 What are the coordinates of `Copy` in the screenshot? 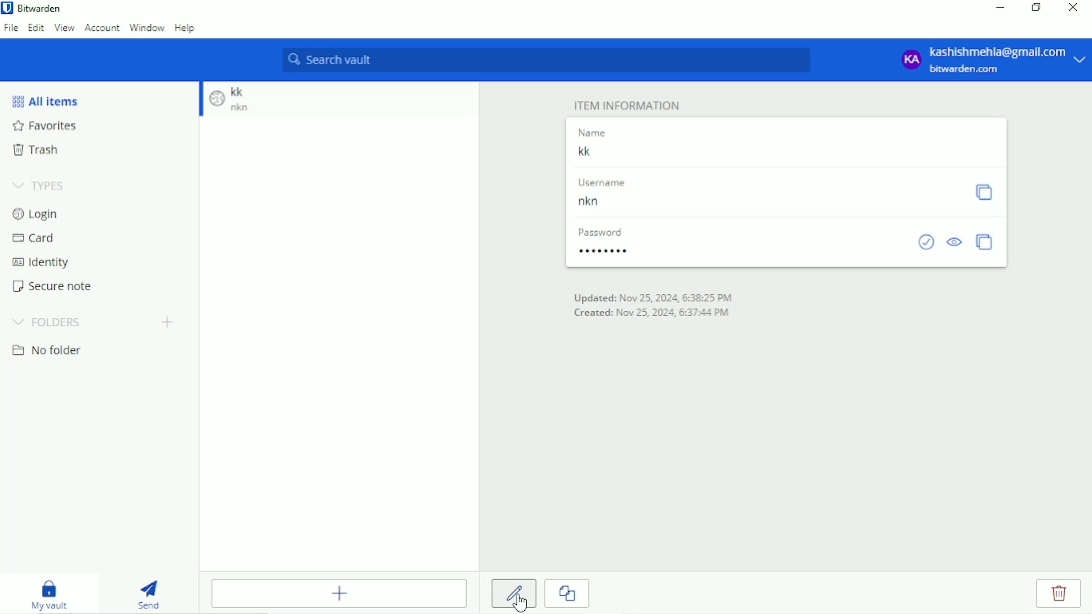 It's located at (986, 242).